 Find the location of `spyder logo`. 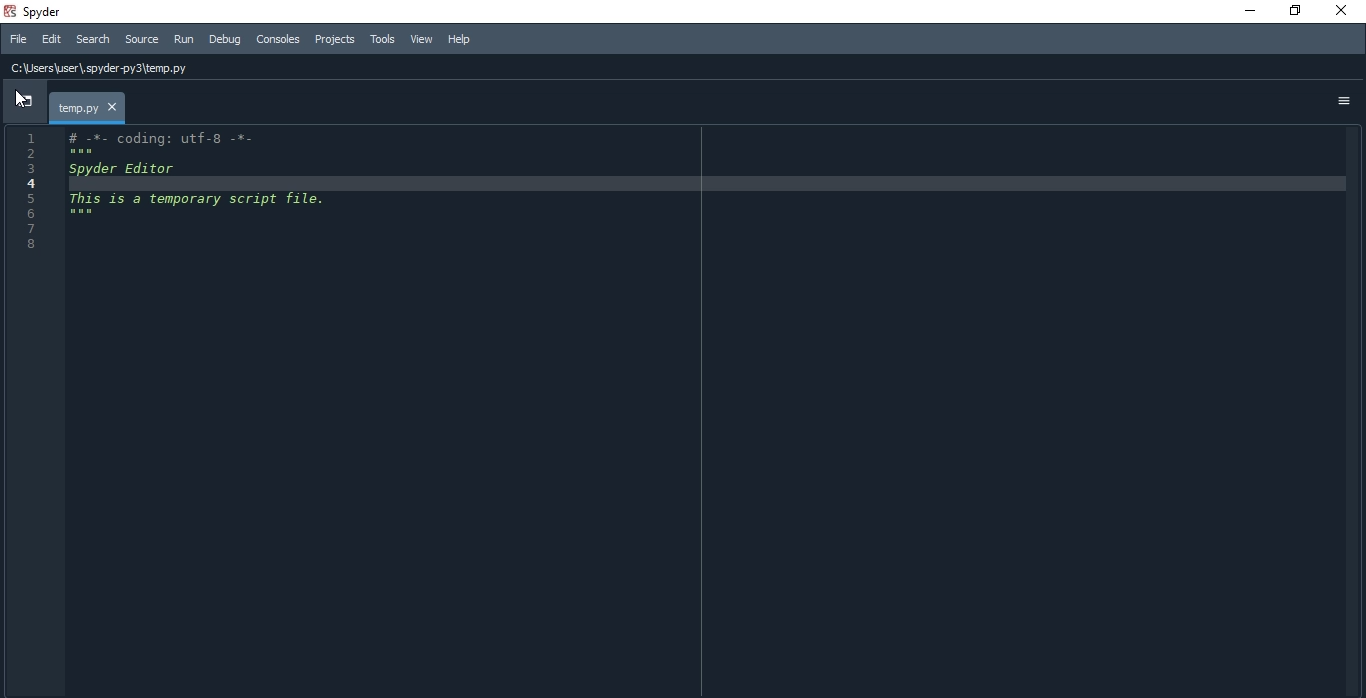

spyder logo is located at coordinates (10, 11).